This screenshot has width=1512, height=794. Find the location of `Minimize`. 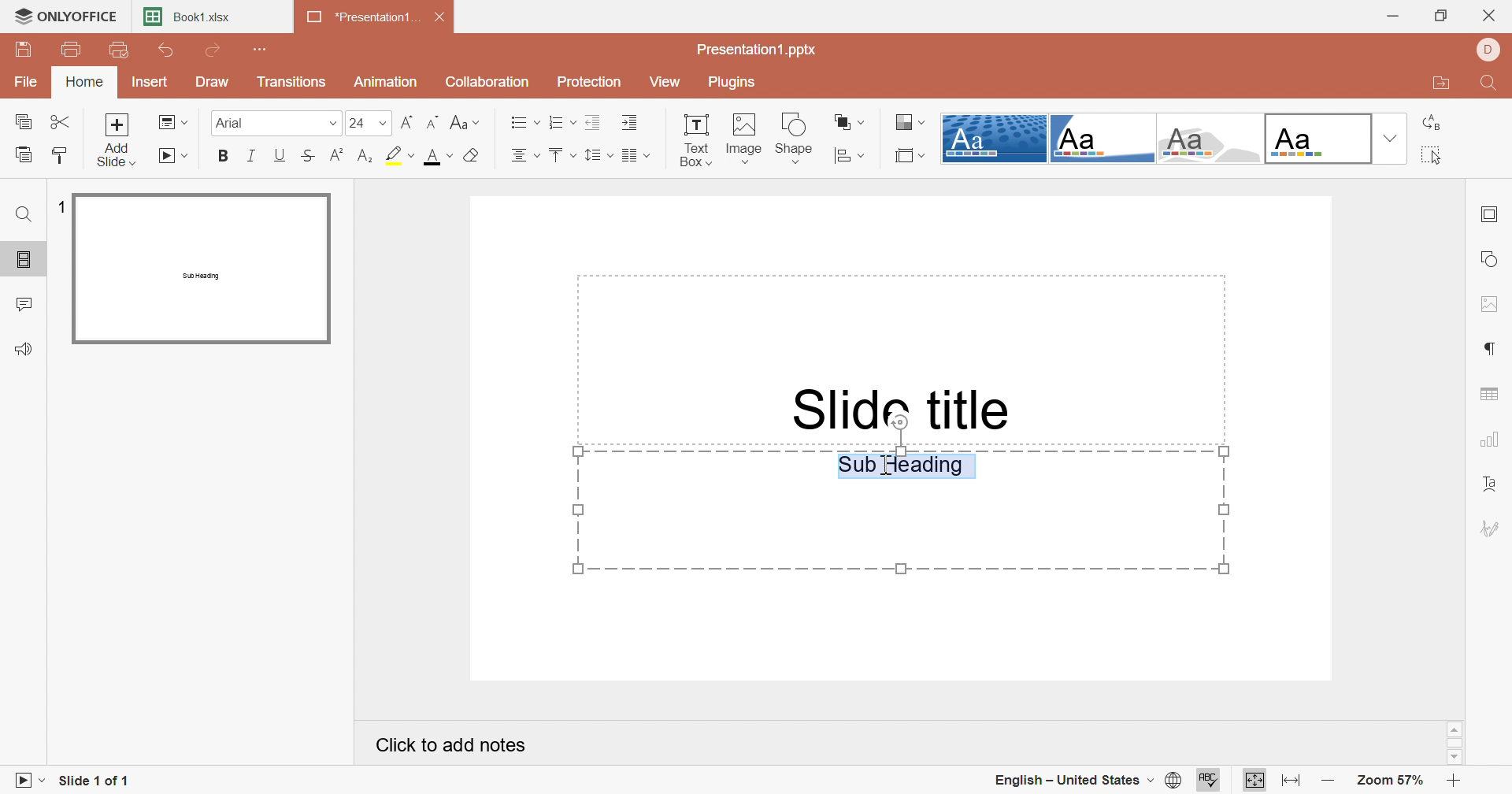

Minimize is located at coordinates (1390, 16).